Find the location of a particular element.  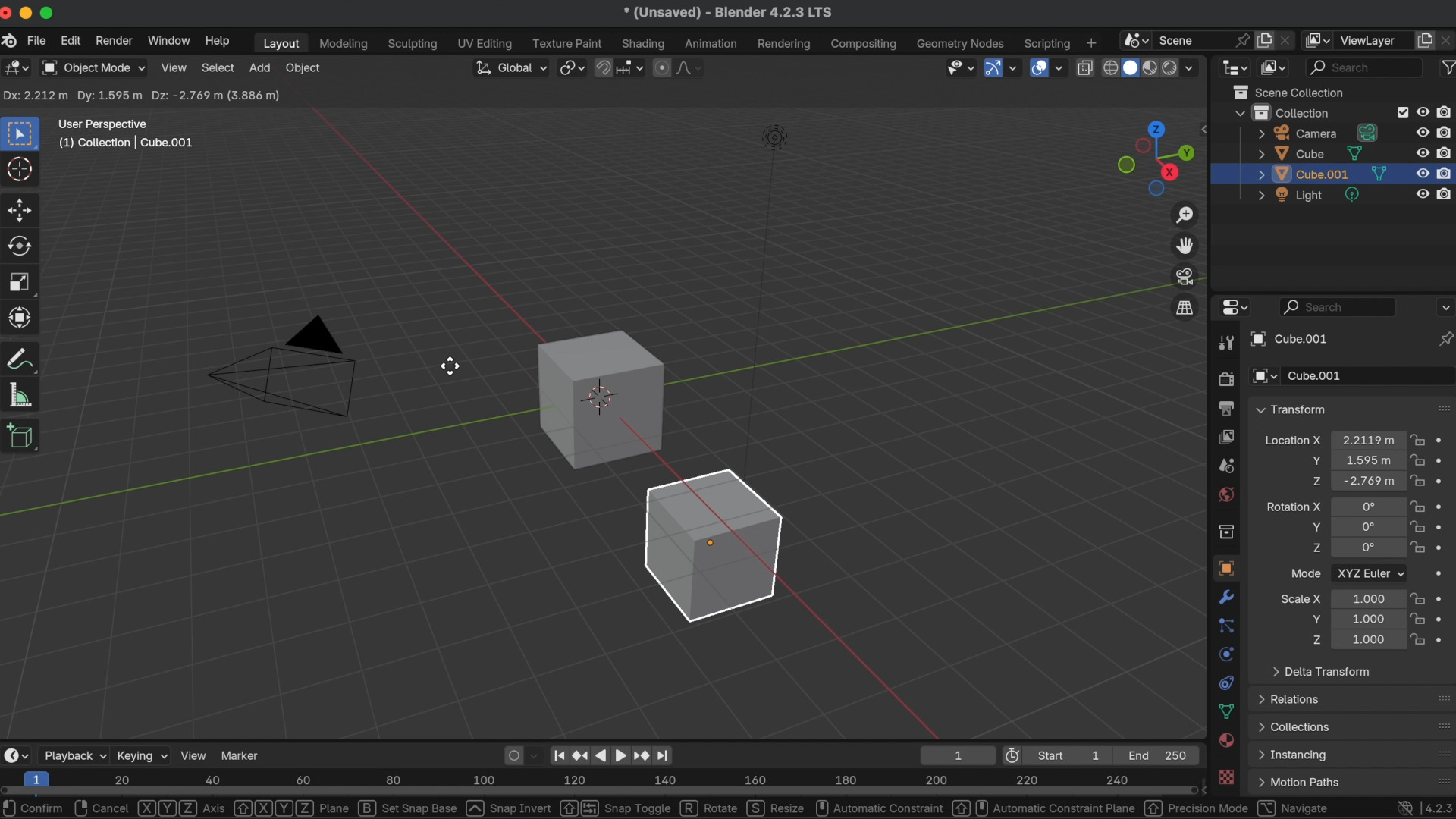

jump to keyframe is located at coordinates (581, 752).